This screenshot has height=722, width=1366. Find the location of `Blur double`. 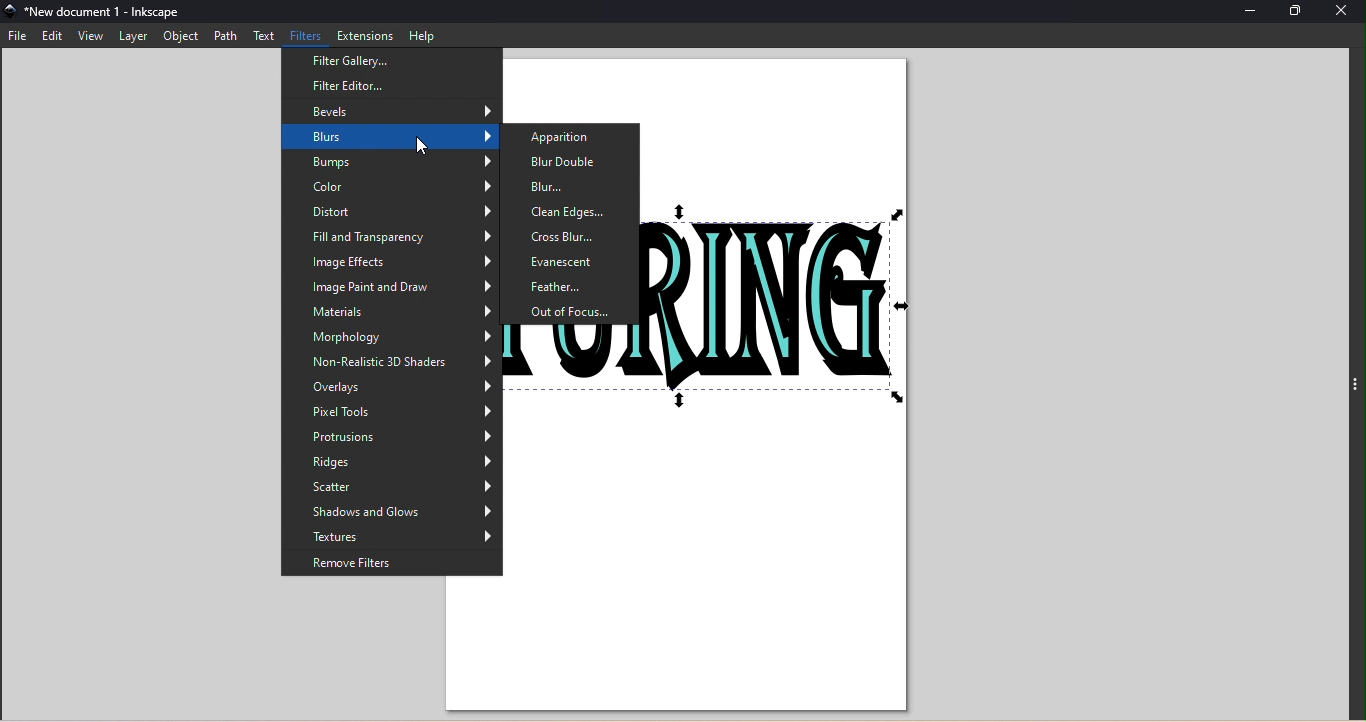

Blur double is located at coordinates (570, 162).